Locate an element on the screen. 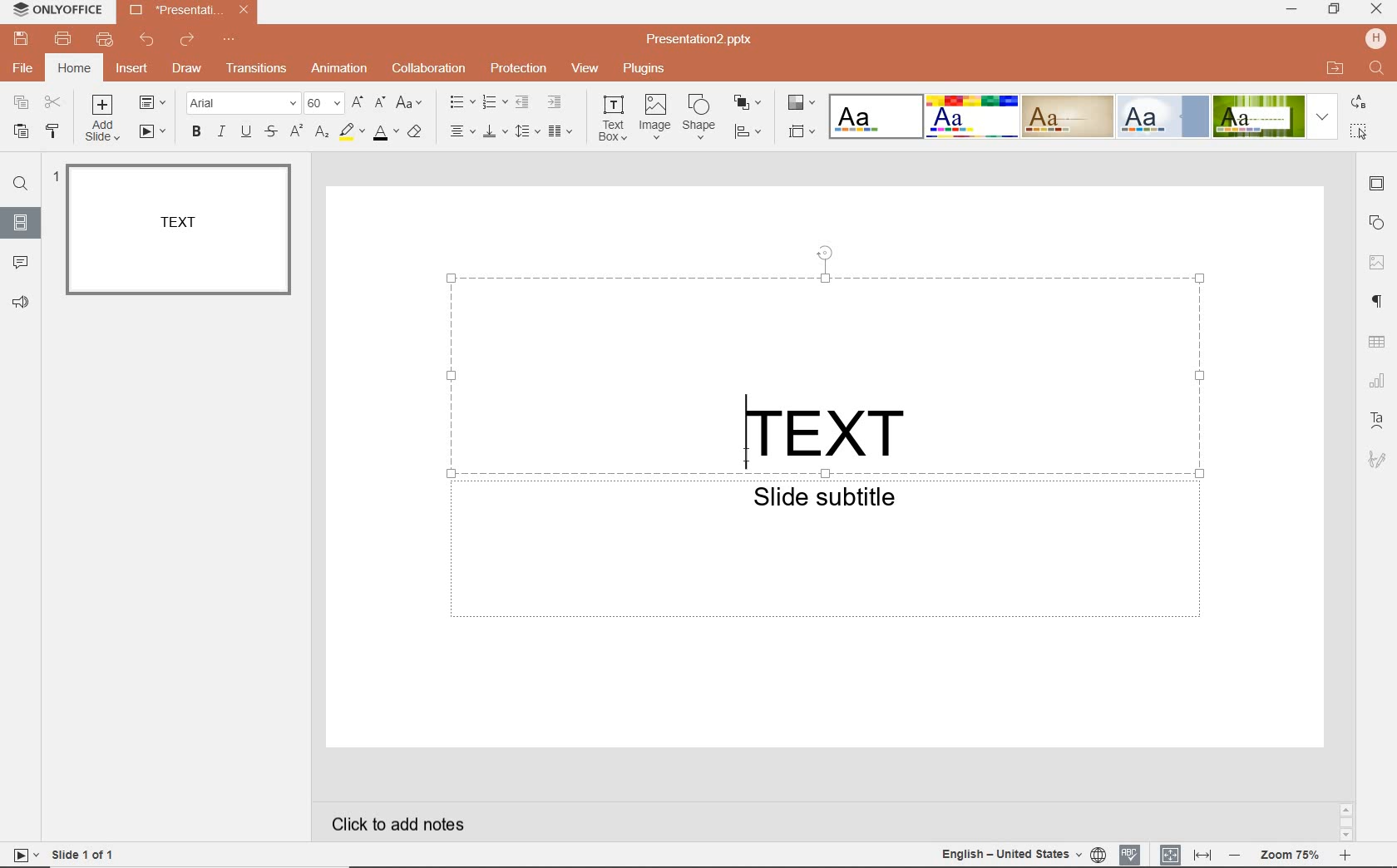 Image resolution: width=1397 pixels, height=868 pixels. CHART SETTINGS is located at coordinates (1378, 379).